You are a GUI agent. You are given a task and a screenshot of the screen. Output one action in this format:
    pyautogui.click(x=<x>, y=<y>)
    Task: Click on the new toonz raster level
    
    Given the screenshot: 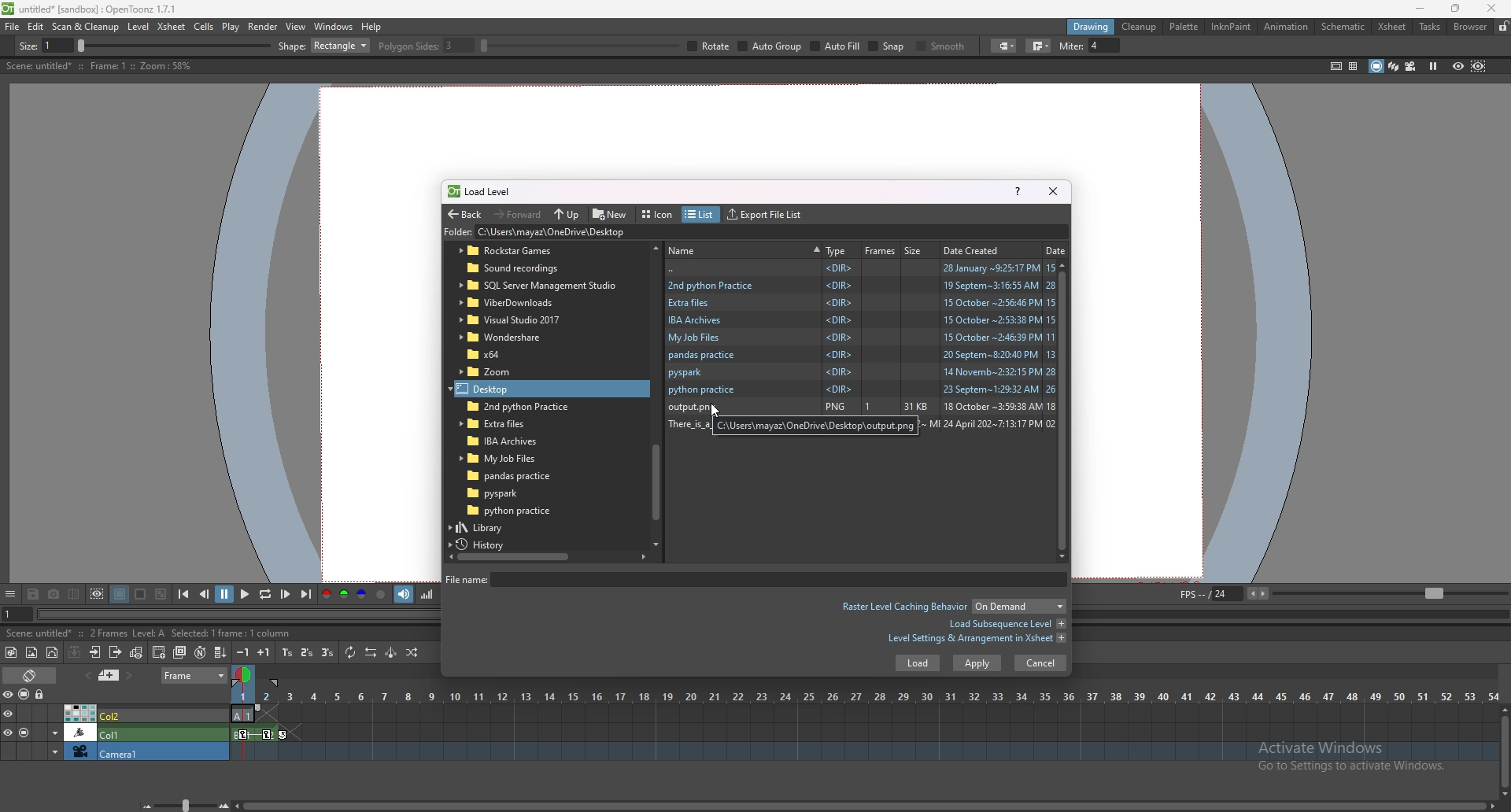 What is the action you would take?
    pyautogui.click(x=12, y=652)
    